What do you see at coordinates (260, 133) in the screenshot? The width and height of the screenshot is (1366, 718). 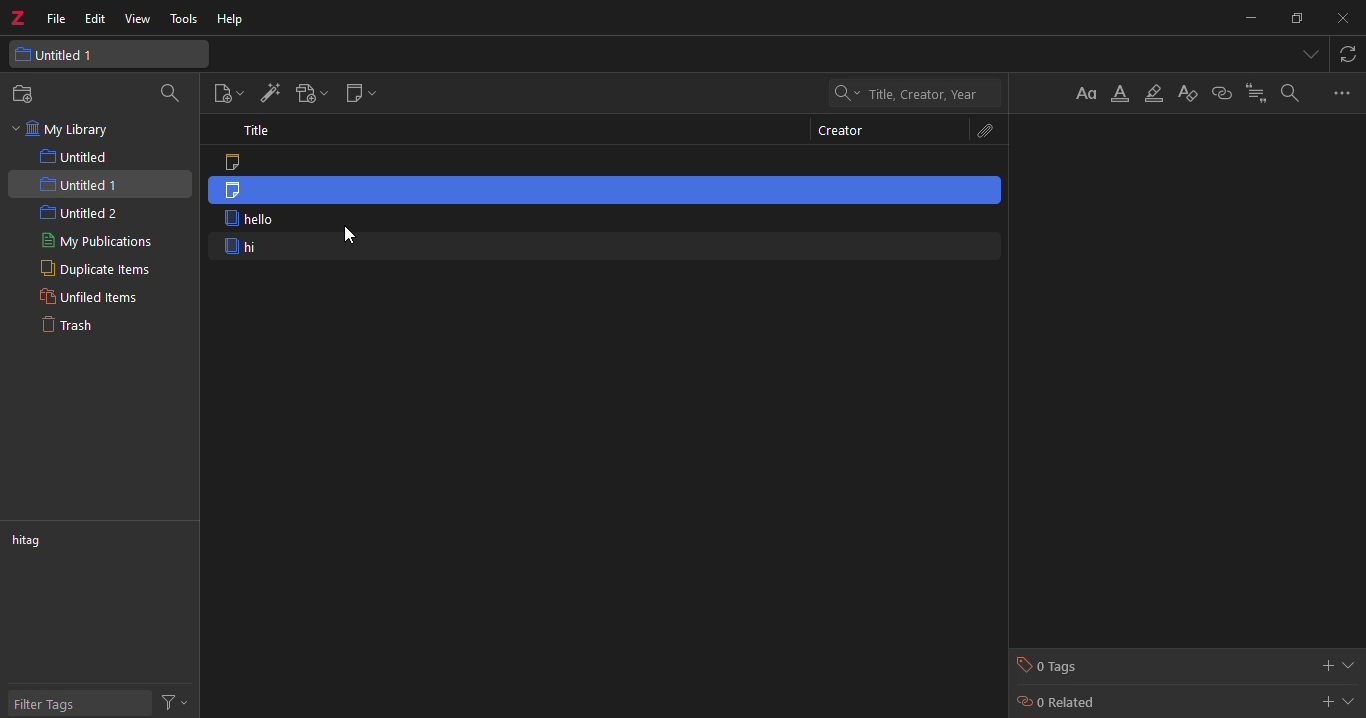 I see `title` at bounding box center [260, 133].